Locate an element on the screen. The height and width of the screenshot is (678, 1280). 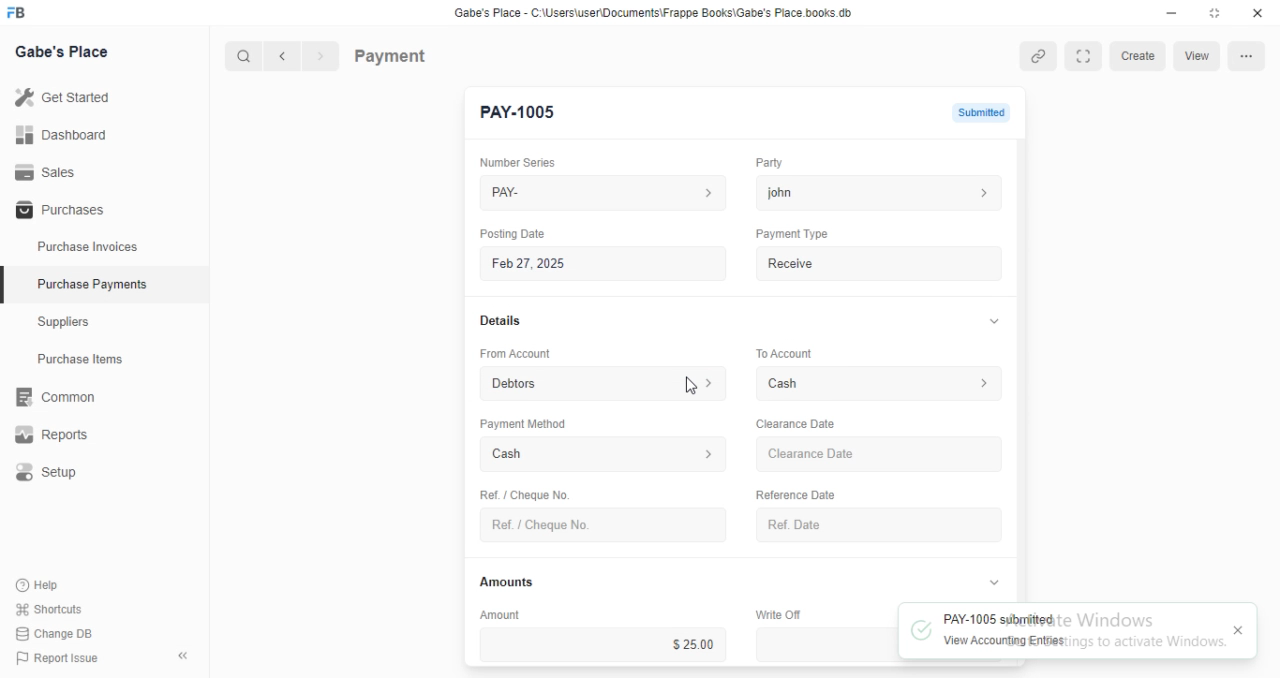
more options is located at coordinates (1246, 56).